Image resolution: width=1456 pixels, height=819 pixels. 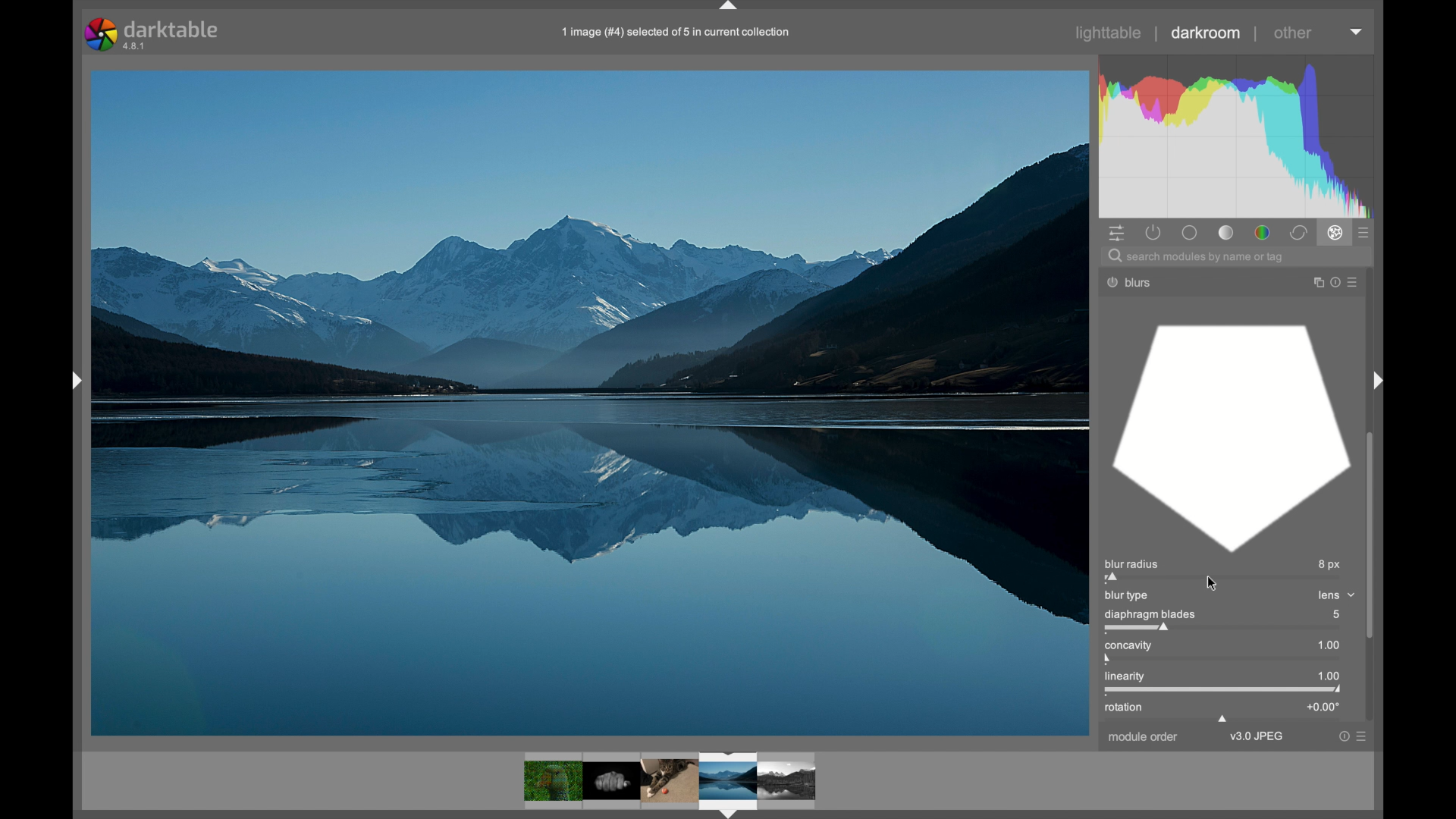 I want to click on correct, so click(x=1298, y=233).